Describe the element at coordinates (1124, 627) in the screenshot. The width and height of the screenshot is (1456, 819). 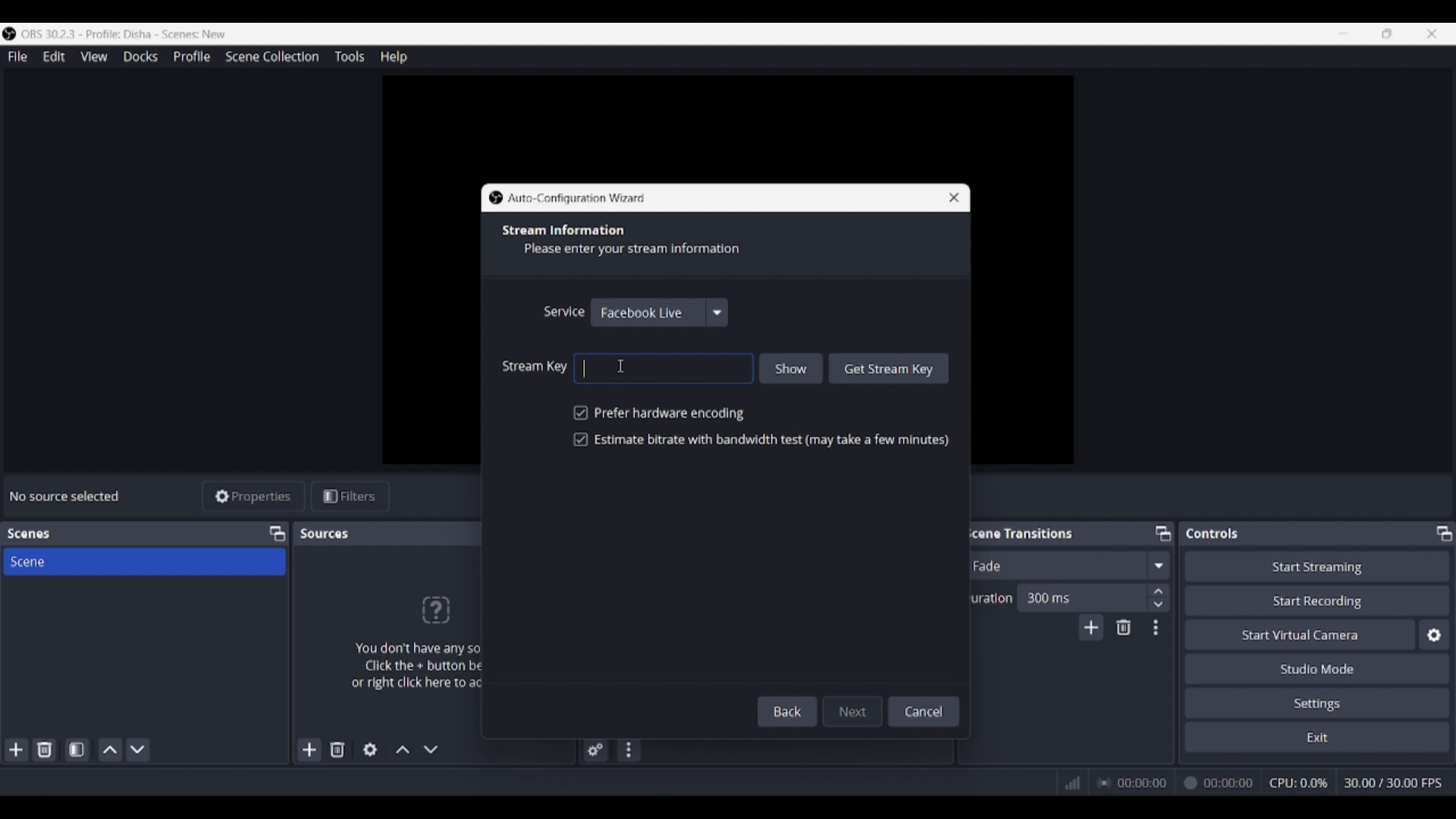
I see `Remove configurble transition` at that location.